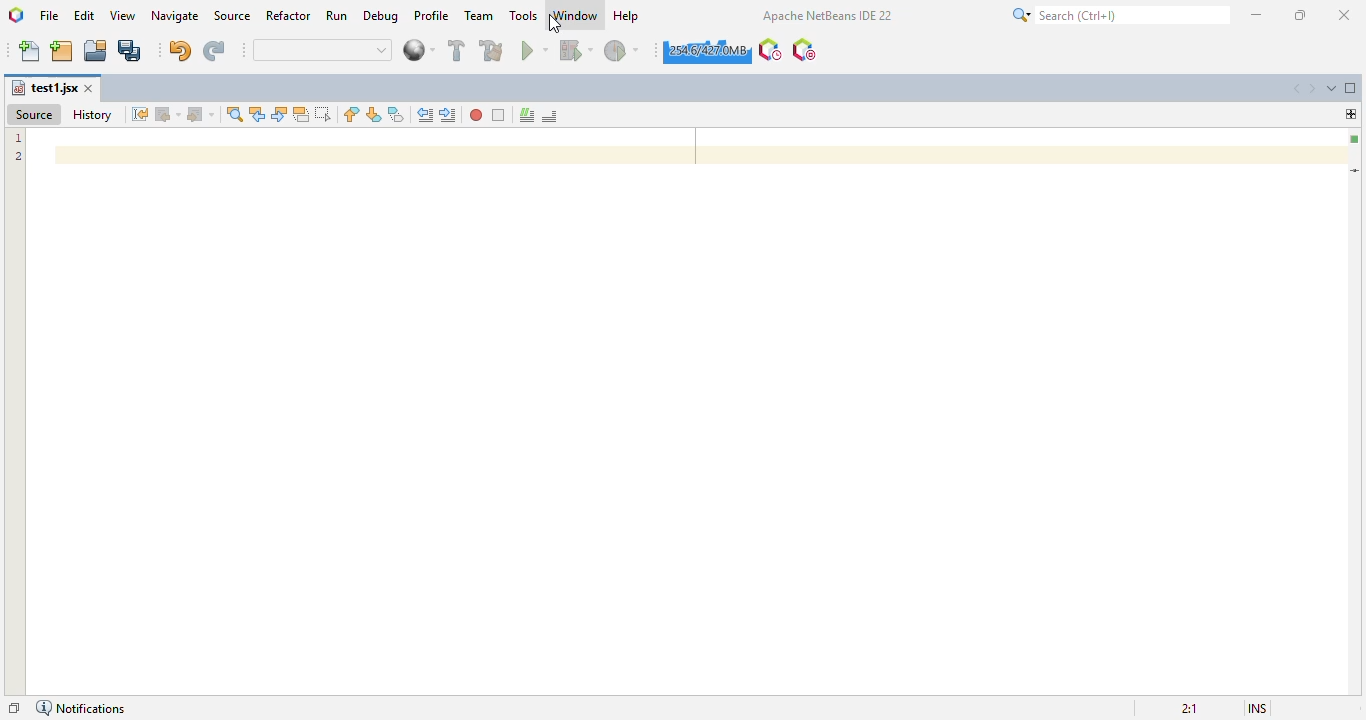 Image resolution: width=1366 pixels, height=720 pixels. What do you see at coordinates (1351, 87) in the screenshot?
I see `maximize window` at bounding box center [1351, 87].